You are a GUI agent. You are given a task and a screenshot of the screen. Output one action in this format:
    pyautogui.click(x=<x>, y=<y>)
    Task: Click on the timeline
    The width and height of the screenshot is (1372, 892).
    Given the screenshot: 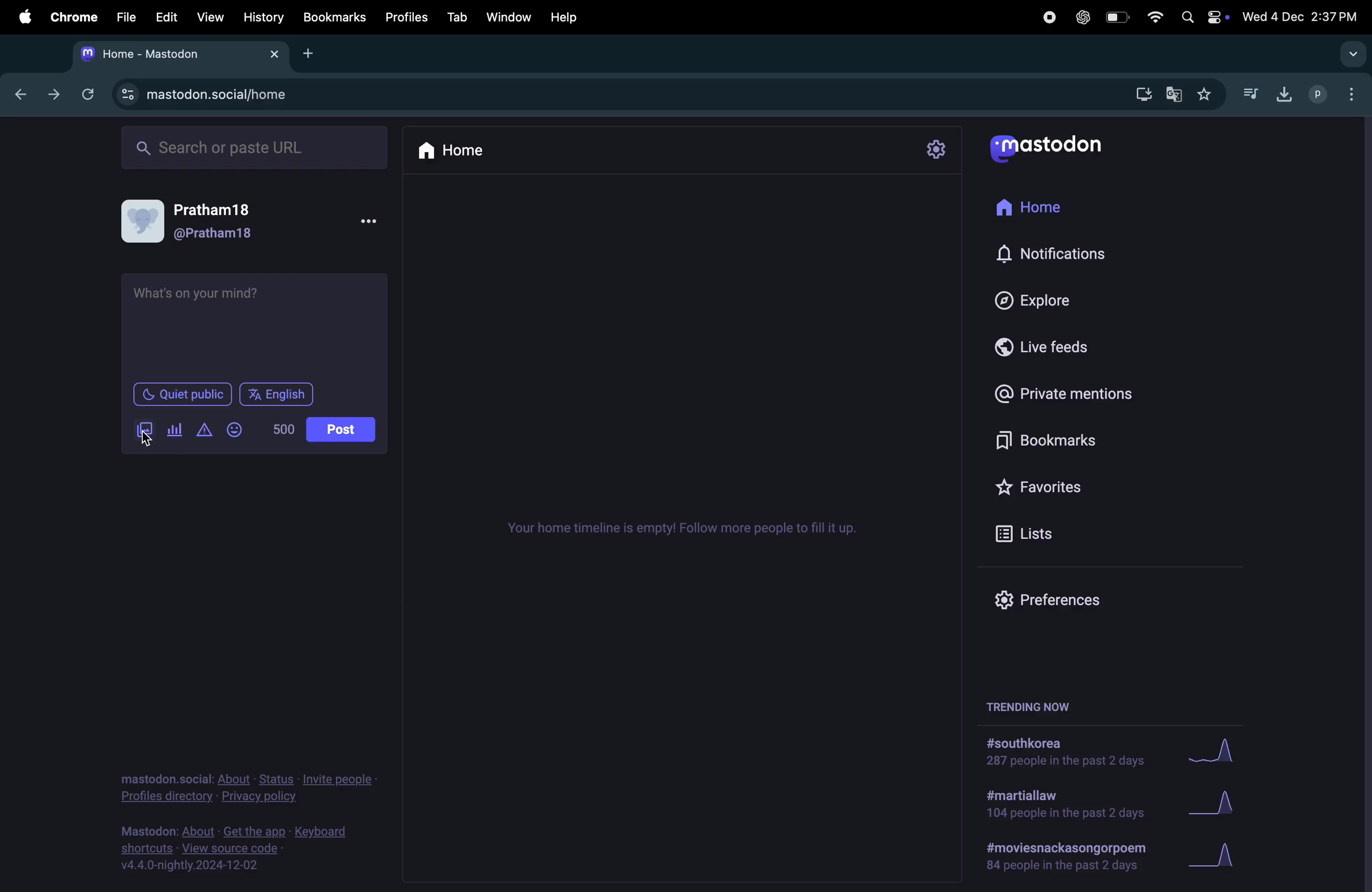 What is the action you would take?
    pyautogui.click(x=681, y=527)
    